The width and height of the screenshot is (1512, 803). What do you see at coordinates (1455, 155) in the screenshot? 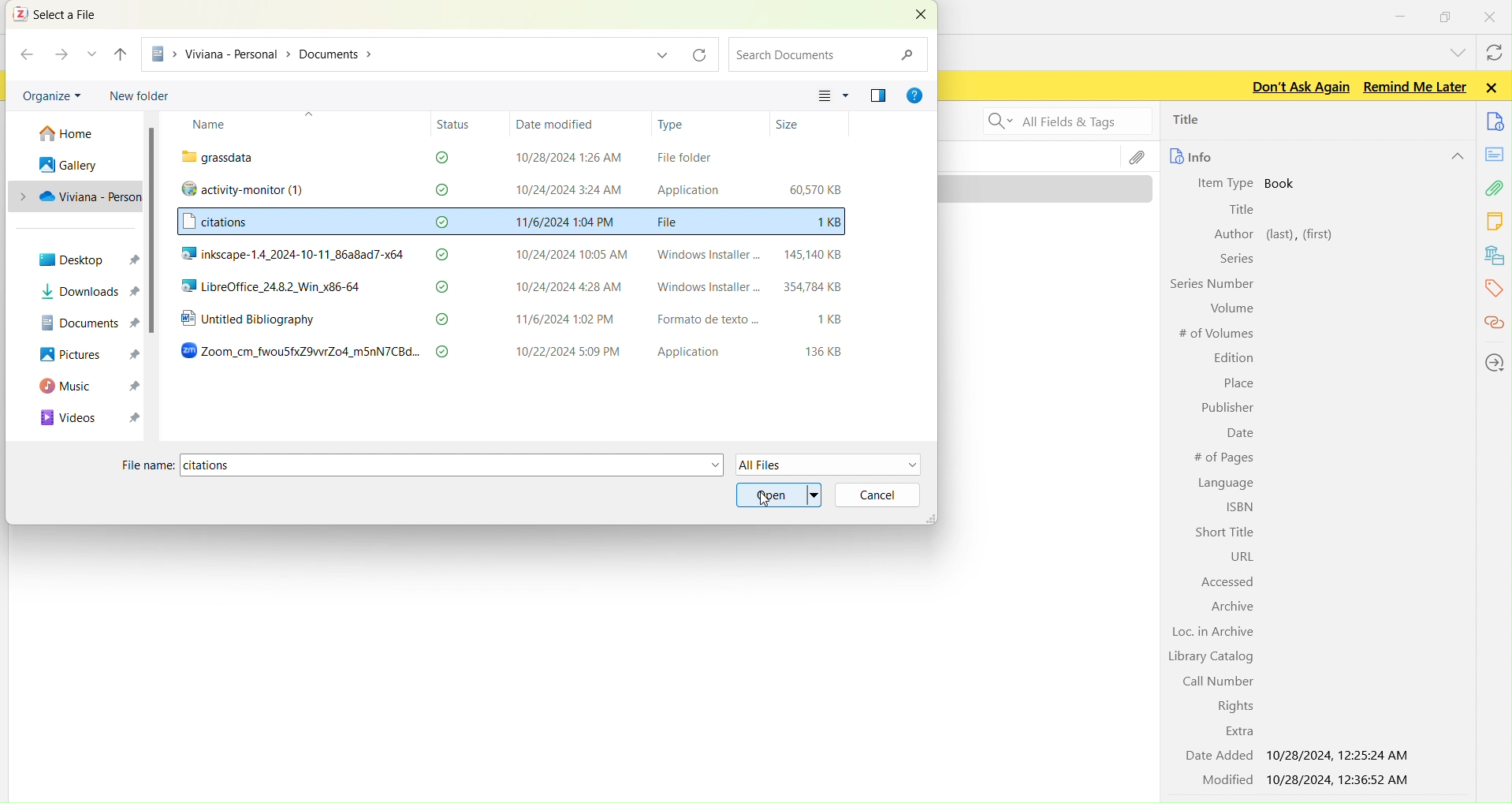
I see `hide` at bounding box center [1455, 155].